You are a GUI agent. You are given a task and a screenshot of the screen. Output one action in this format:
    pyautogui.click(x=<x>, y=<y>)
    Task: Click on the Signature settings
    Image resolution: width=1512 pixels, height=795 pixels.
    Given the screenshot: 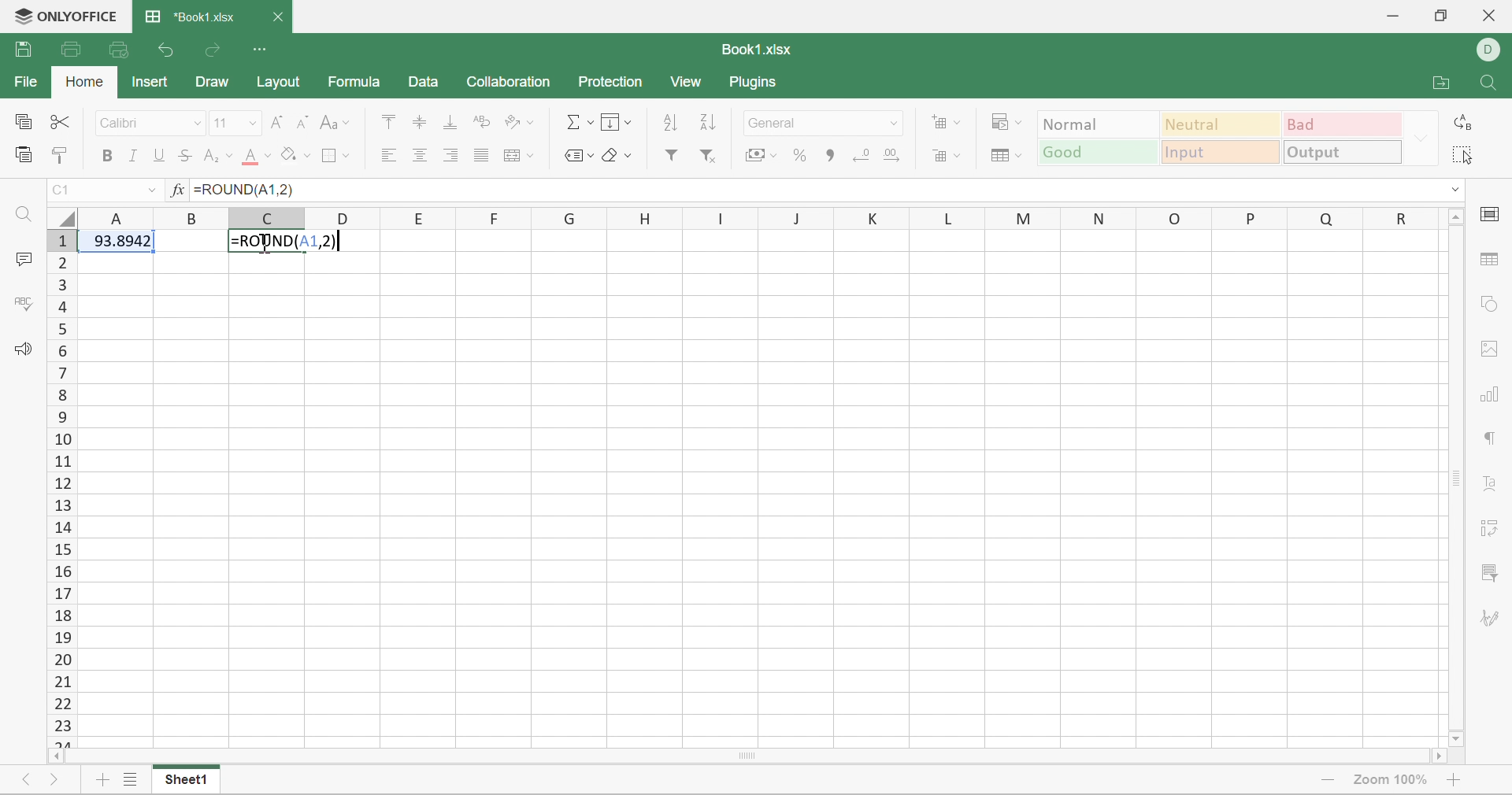 What is the action you would take?
    pyautogui.click(x=1492, y=620)
    